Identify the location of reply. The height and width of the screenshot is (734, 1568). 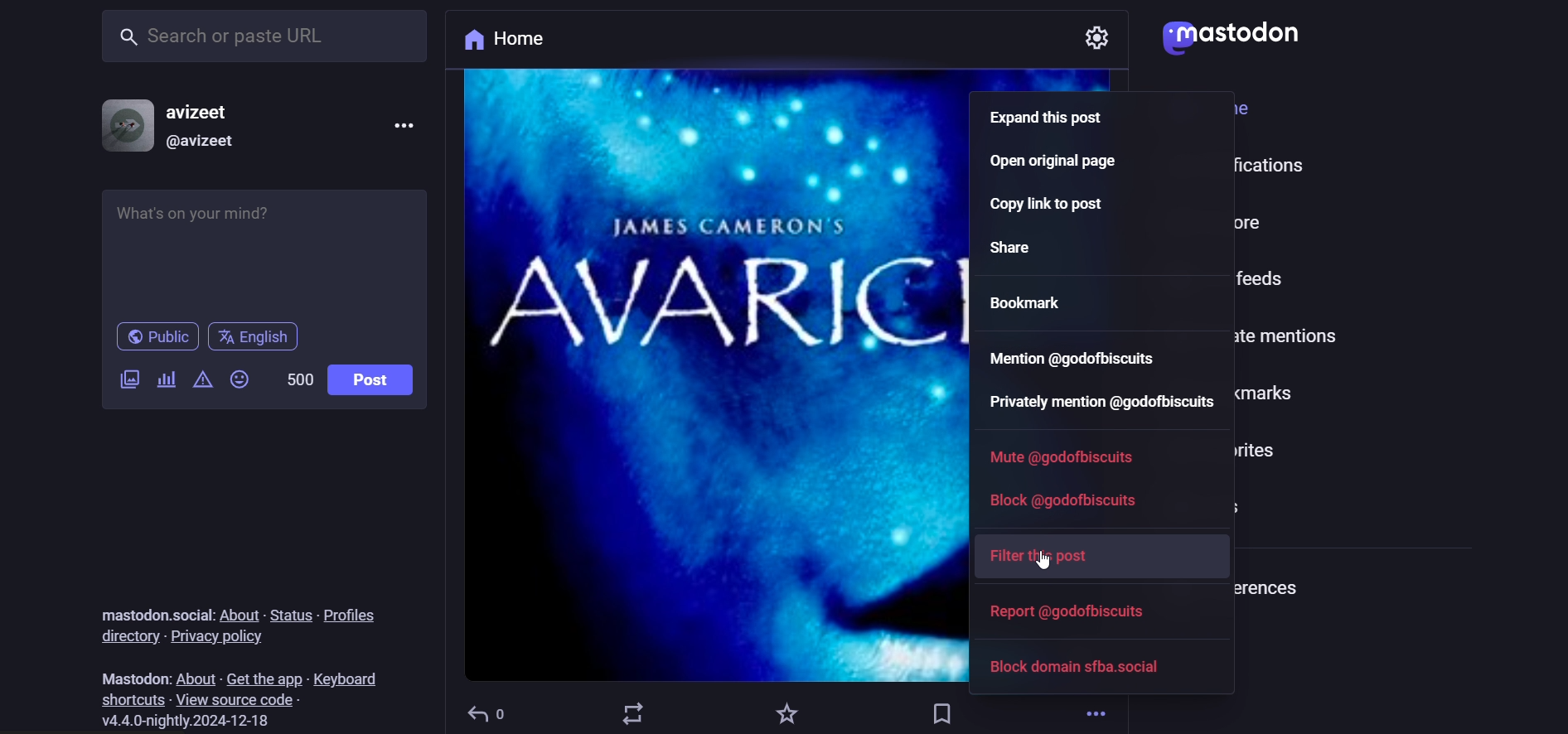
(487, 710).